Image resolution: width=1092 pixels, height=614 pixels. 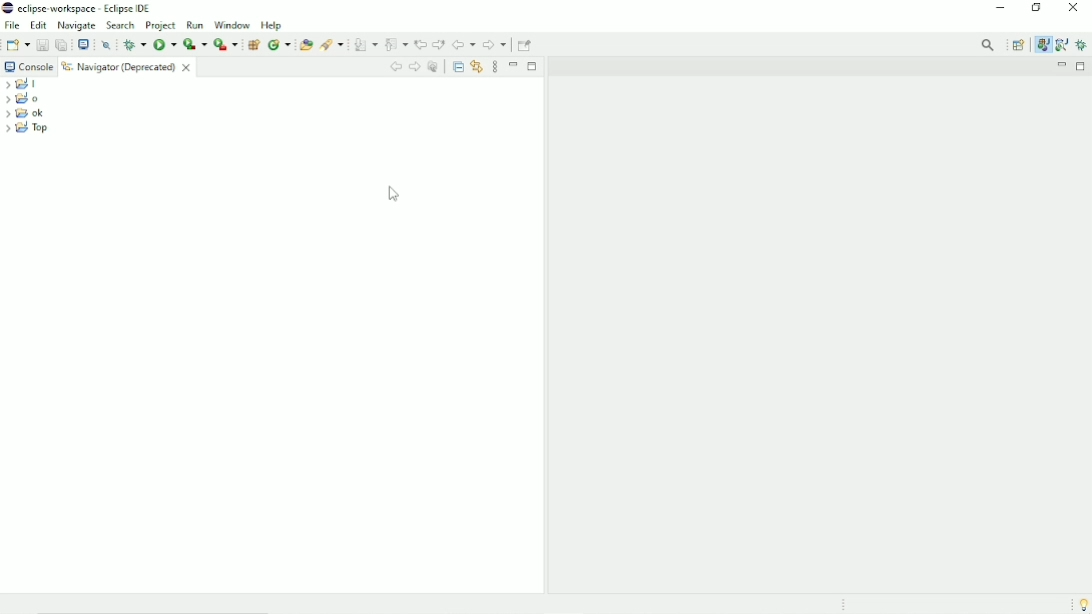 I want to click on Console, so click(x=28, y=66).